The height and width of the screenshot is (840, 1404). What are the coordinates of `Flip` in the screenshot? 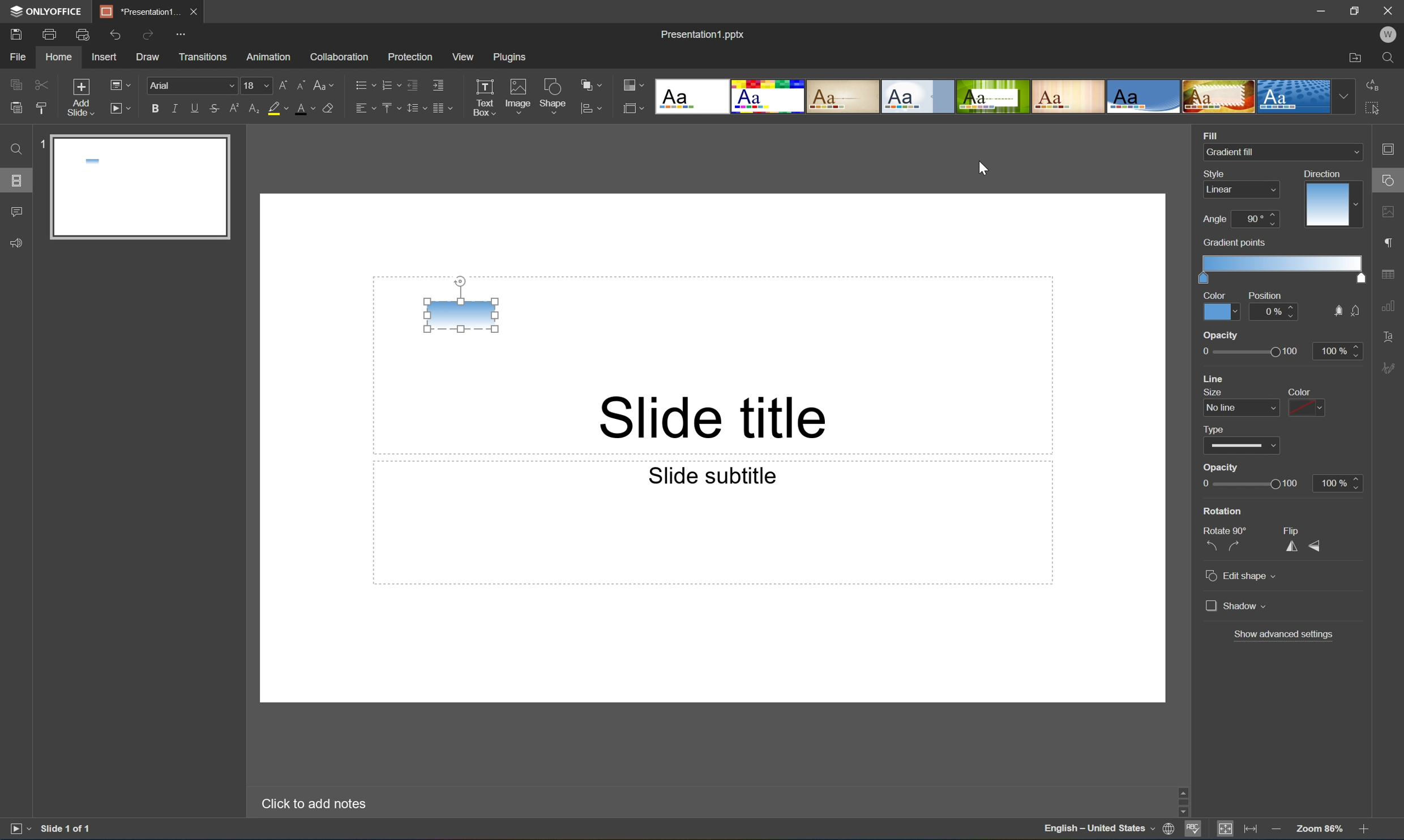 It's located at (1294, 530).